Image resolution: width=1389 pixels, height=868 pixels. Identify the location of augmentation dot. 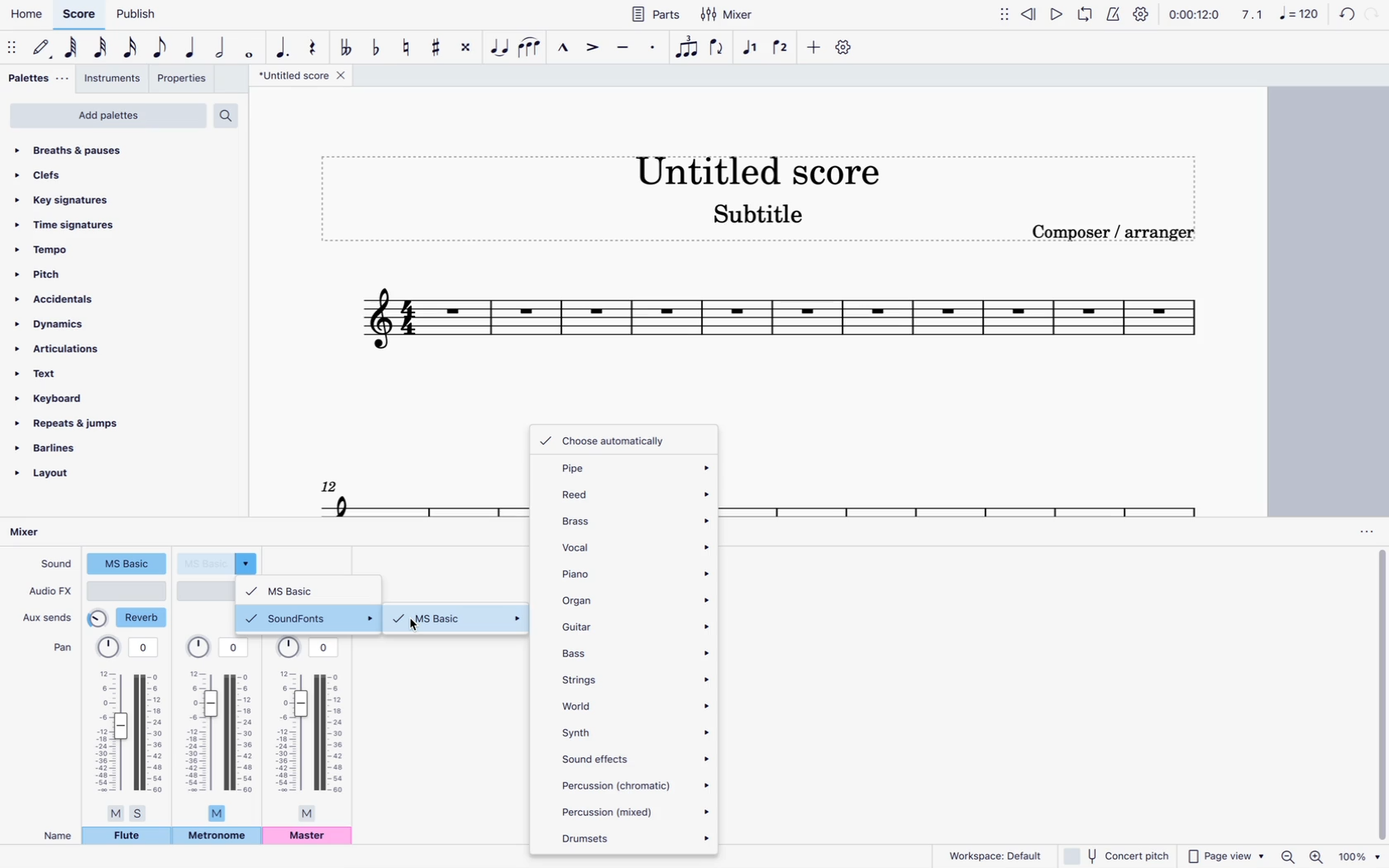
(281, 43).